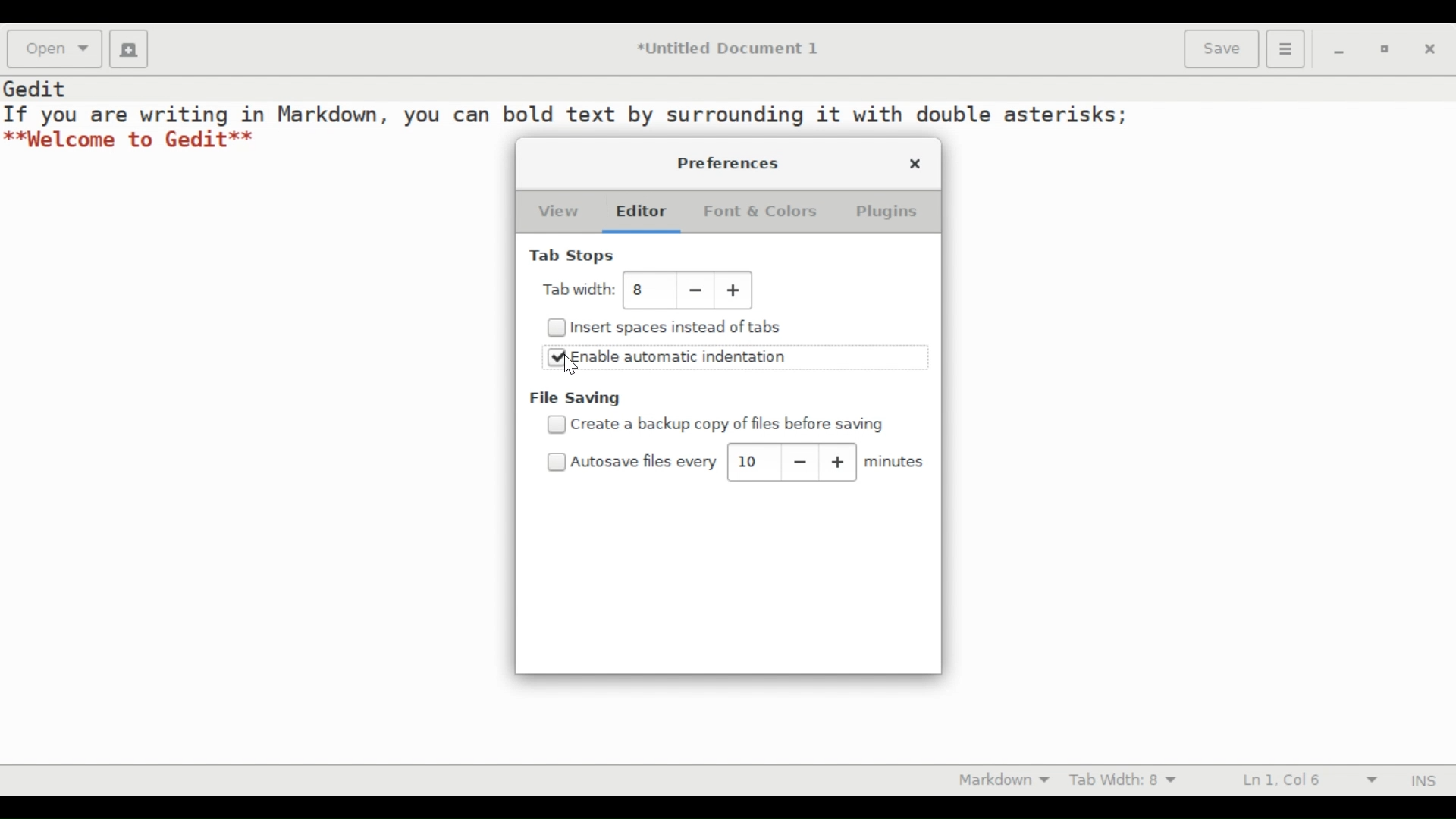 The width and height of the screenshot is (1456, 819). Describe the element at coordinates (733, 50) in the screenshot. I see `*Untitled Document 1` at that location.